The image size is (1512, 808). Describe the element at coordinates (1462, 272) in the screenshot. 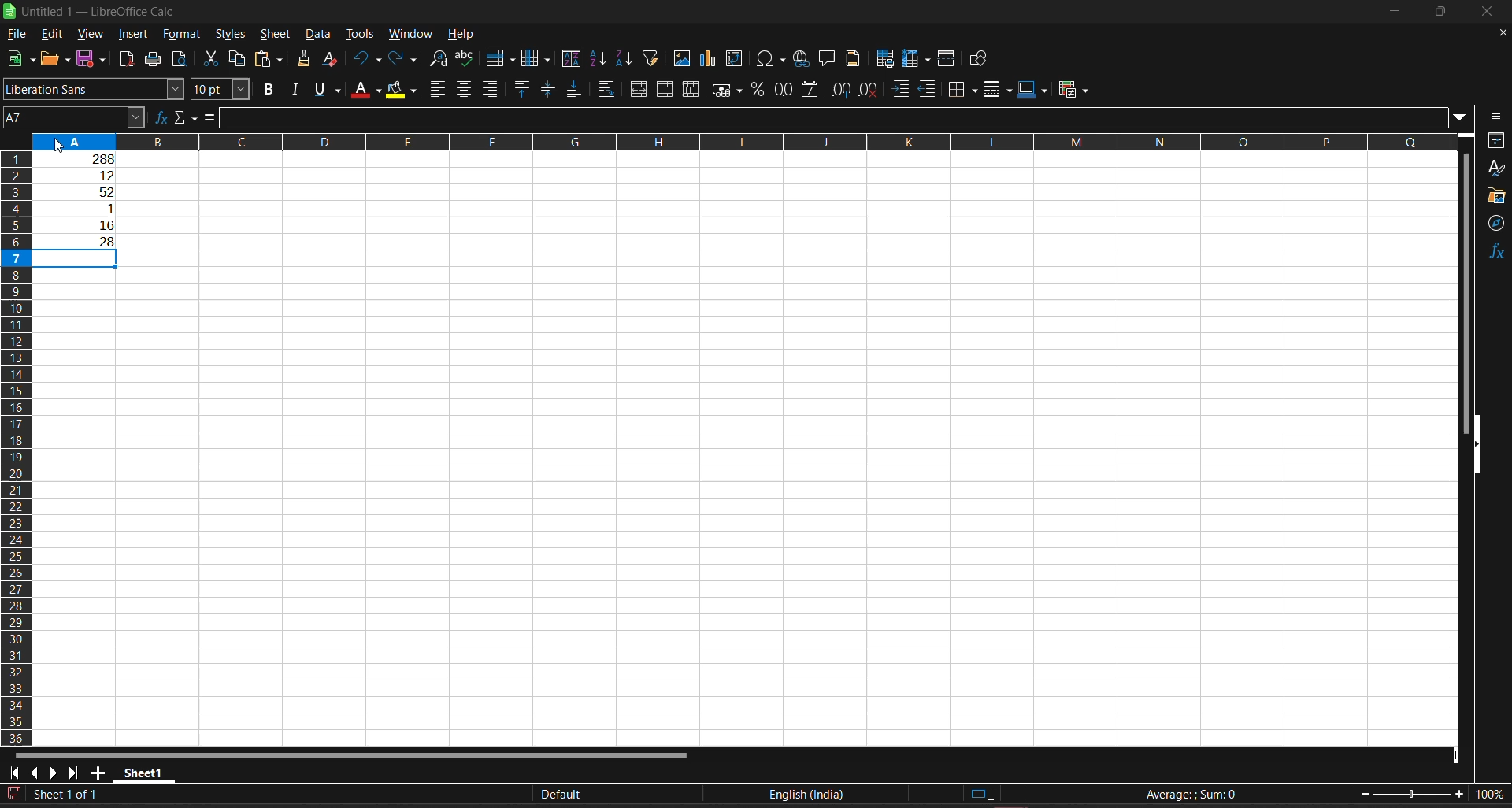

I see `vertical scroll bar` at that location.